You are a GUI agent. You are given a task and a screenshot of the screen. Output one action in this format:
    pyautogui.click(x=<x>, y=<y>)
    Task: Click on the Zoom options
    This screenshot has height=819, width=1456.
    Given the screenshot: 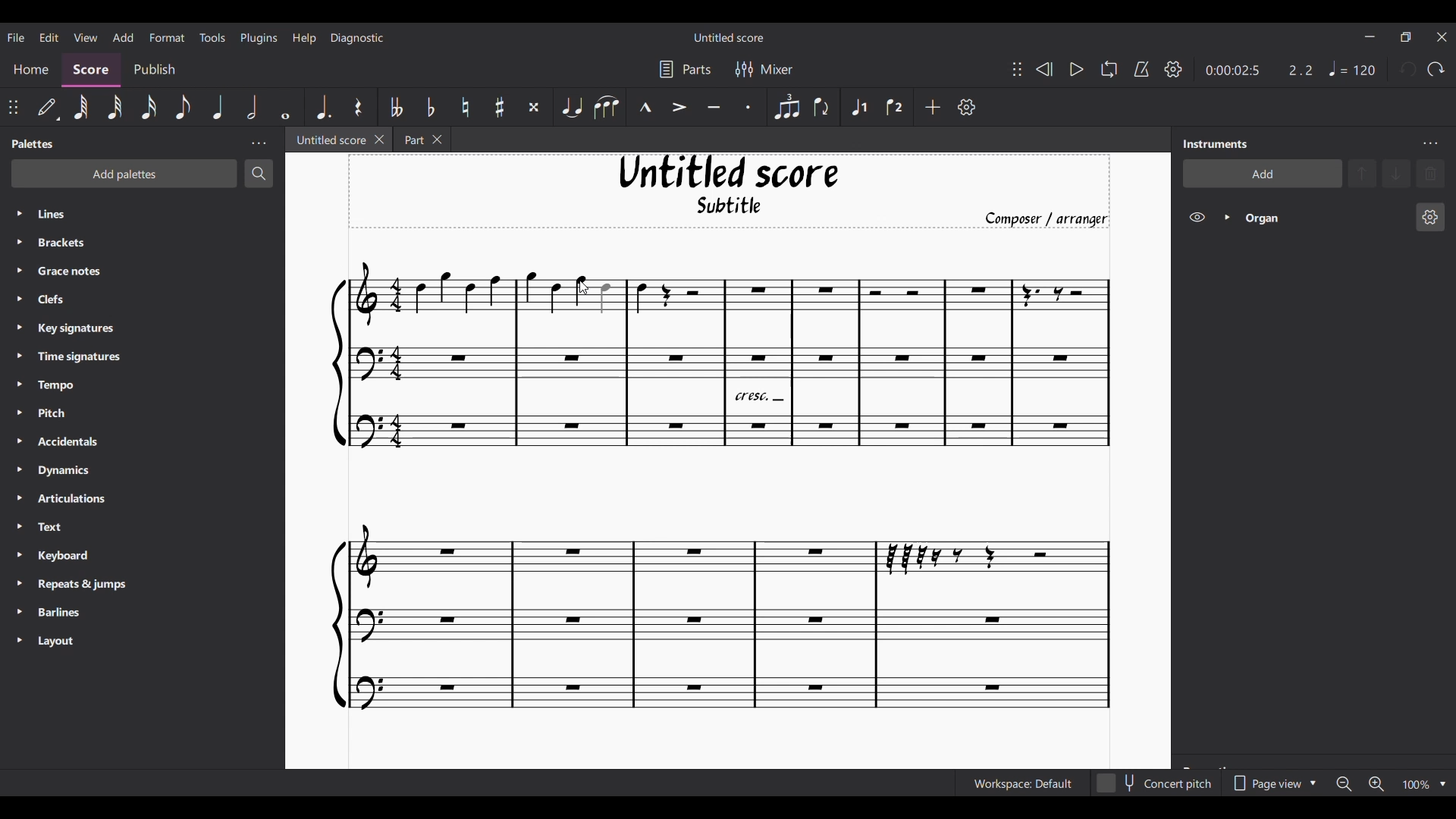 What is the action you would take?
    pyautogui.click(x=1443, y=785)
    